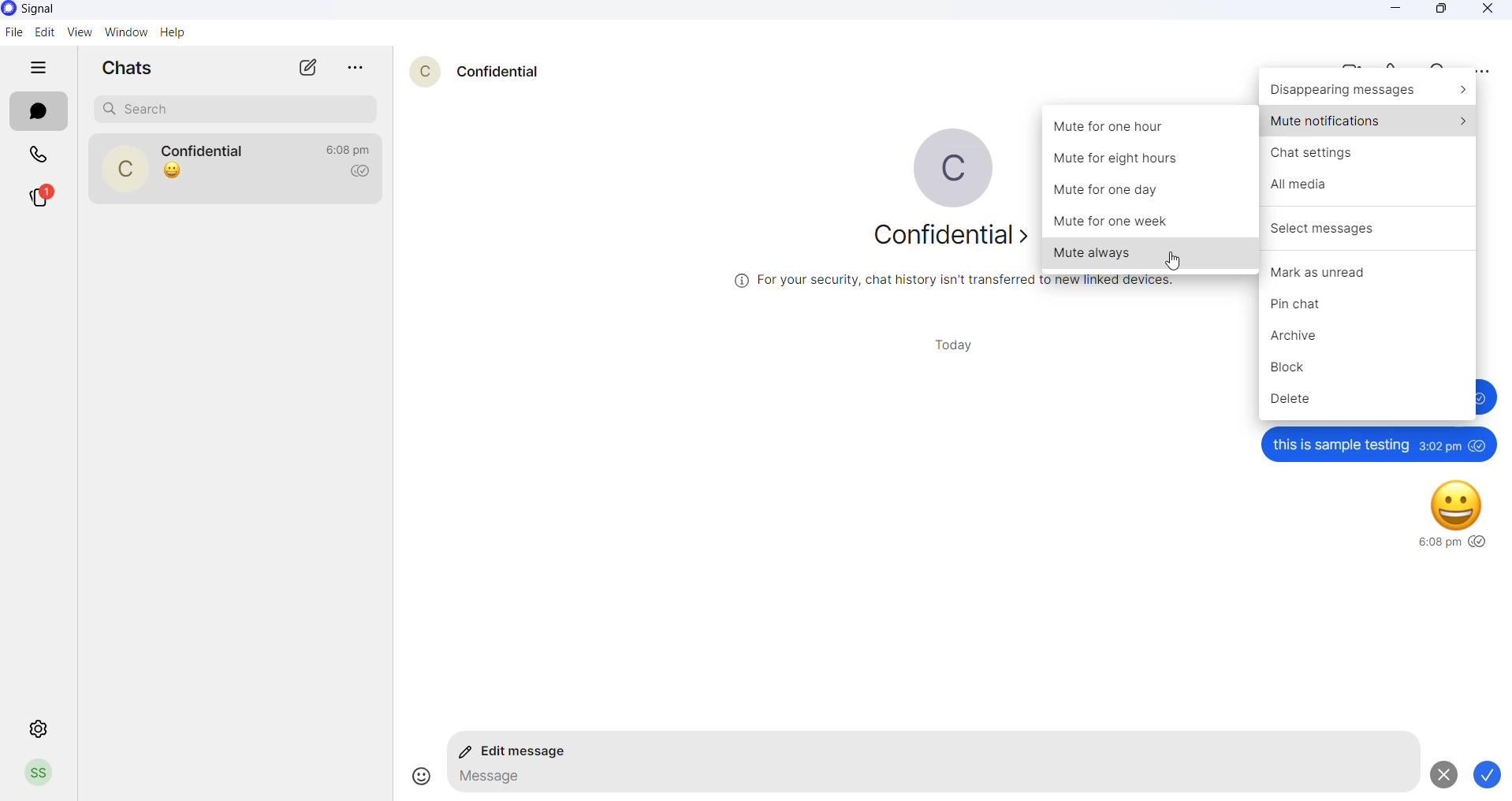  I want to click on emojis, so click(415, 776).